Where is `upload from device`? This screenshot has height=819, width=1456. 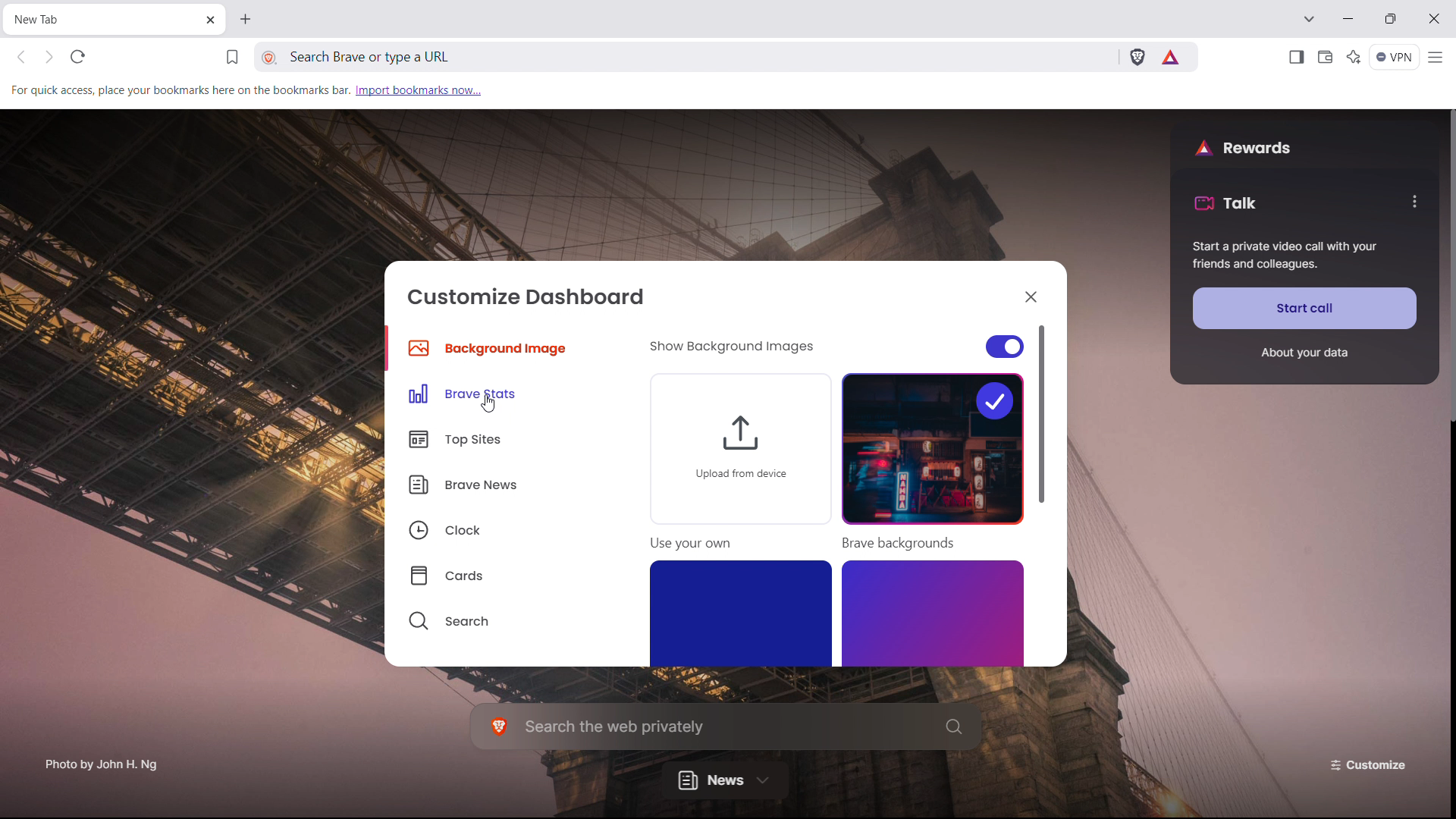 upload from device is located at coordinates (741, 448).